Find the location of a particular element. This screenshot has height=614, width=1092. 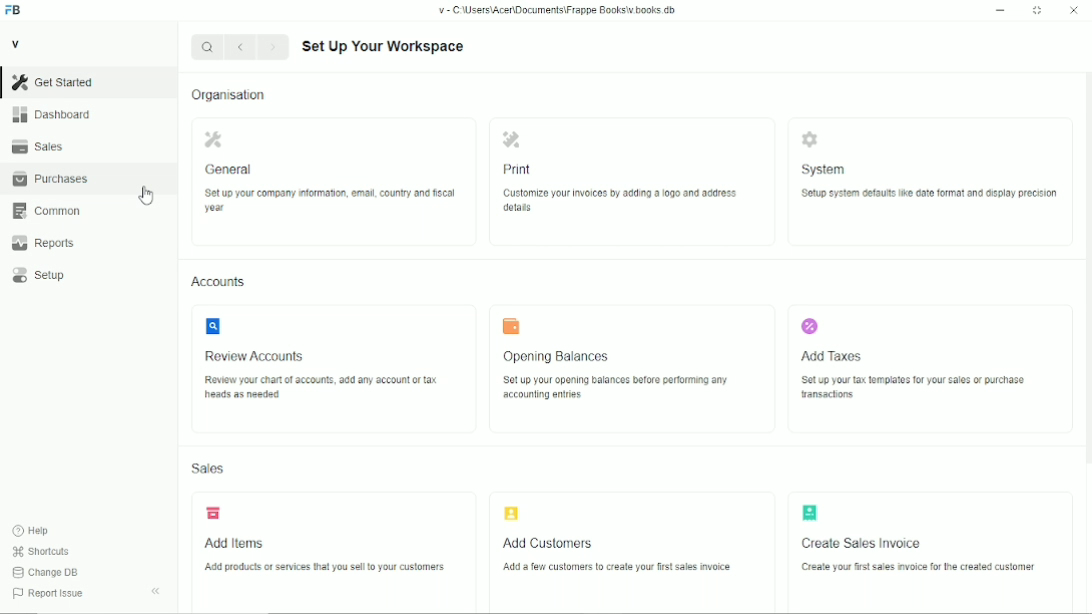

v- C Wsers\AcenDocuments\Frappe Books'v books db is located at coordinates (556, 10).